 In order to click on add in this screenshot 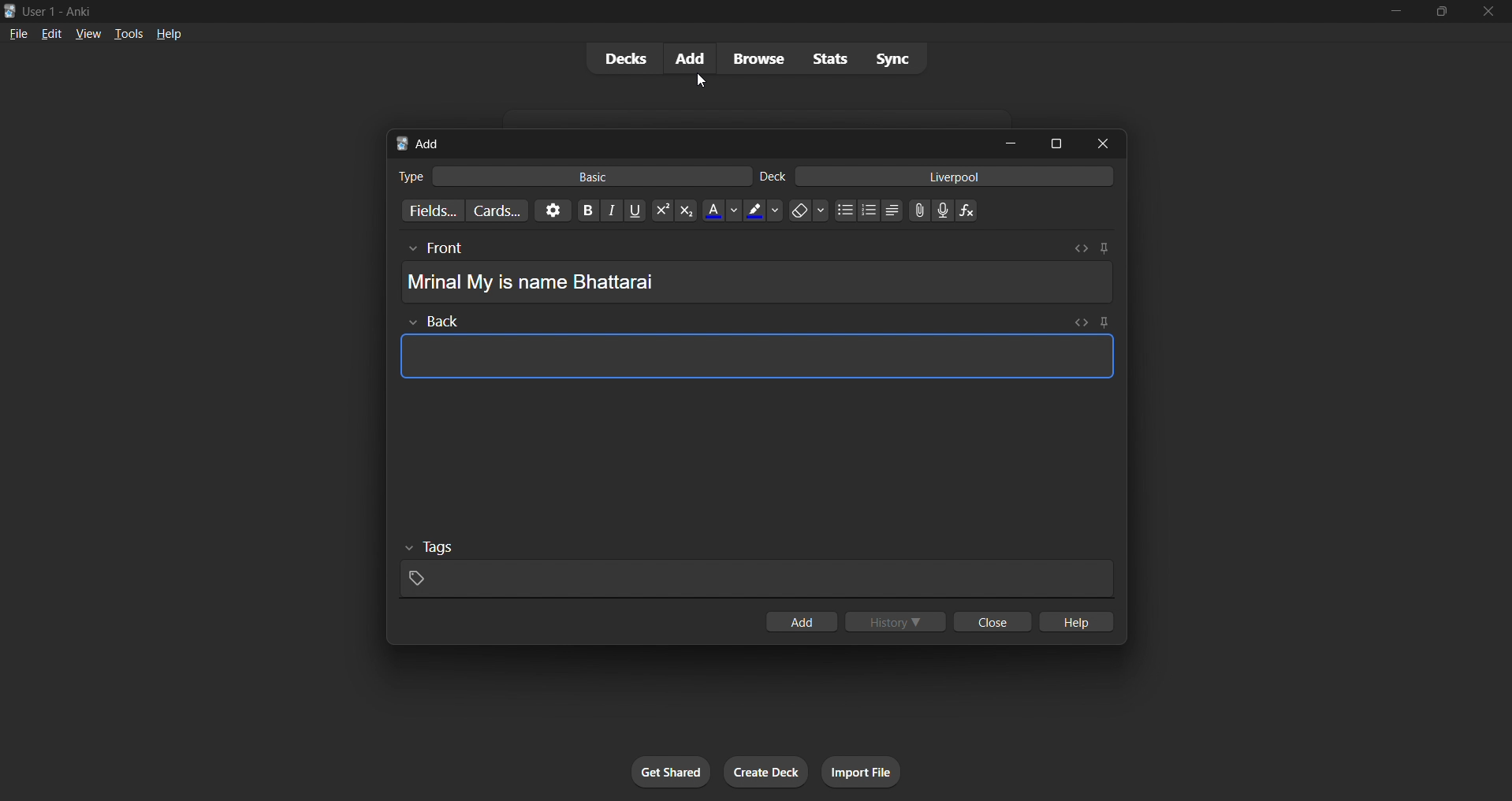, I will do `click(685, 59)`.